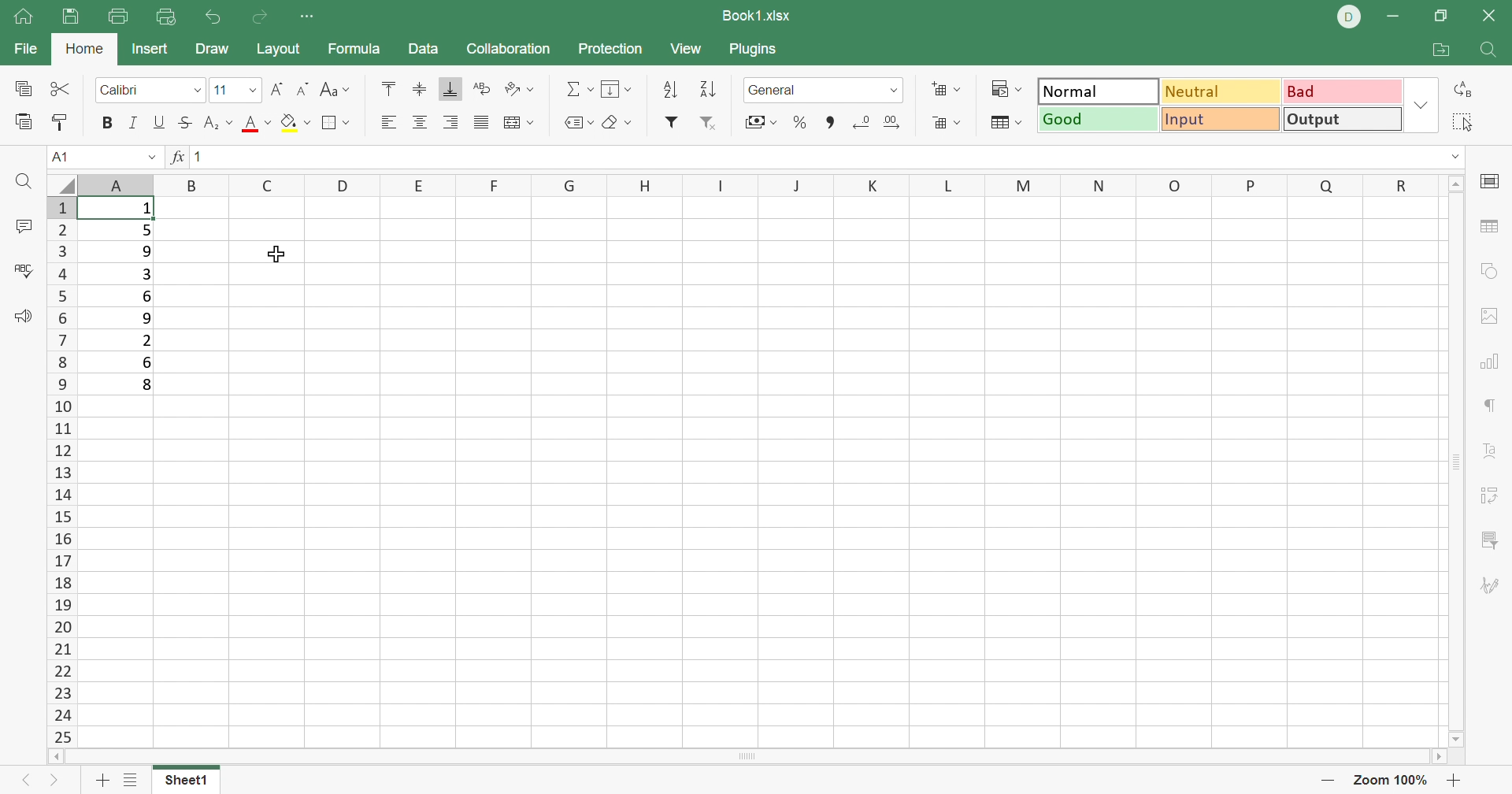 Image resolution: width=1512 pixels, height=794 pixels. What do you see at coordinates (197, 90) in the screenshot?
I see `Drop Down` at bounding box center [197, 90].